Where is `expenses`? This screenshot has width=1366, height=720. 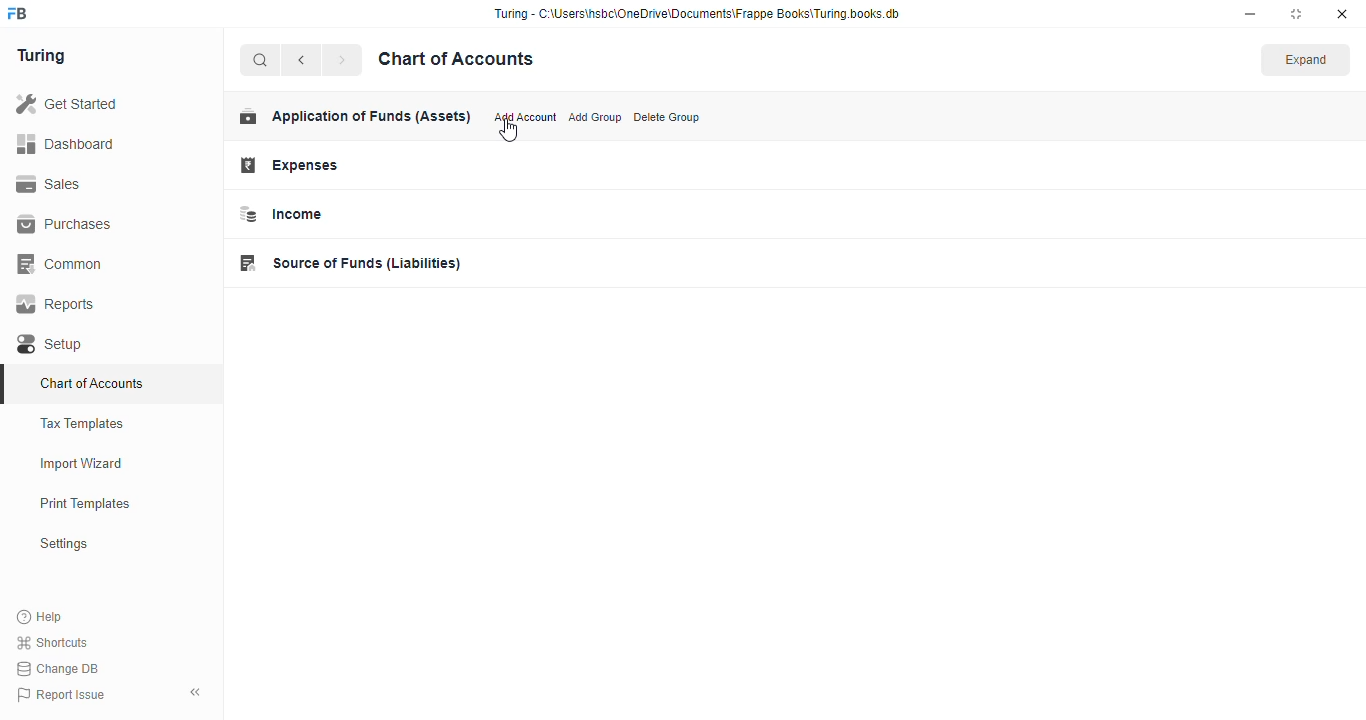 expenses is located at coordinates (290, 165).